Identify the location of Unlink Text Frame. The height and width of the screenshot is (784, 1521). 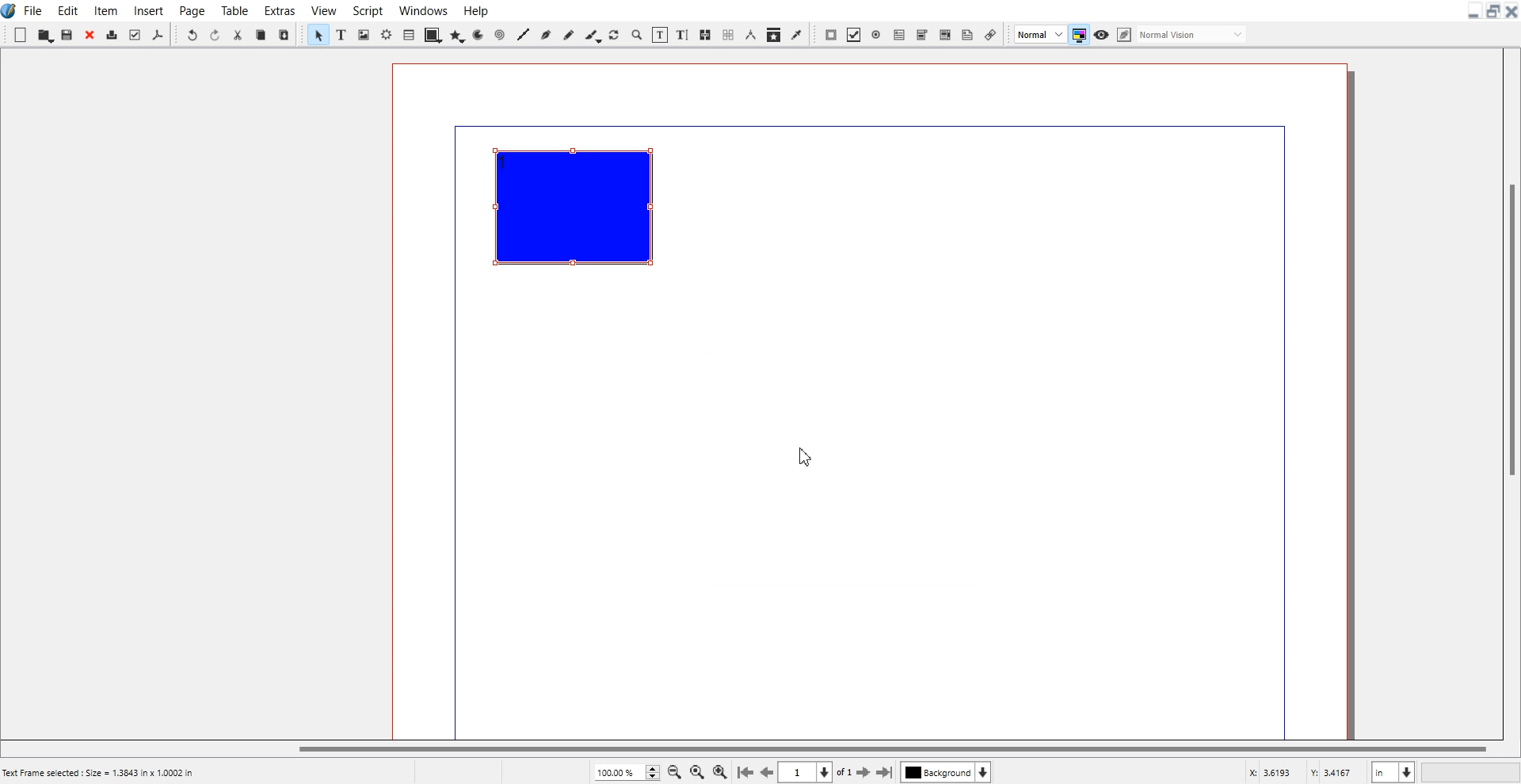
(726, 35).